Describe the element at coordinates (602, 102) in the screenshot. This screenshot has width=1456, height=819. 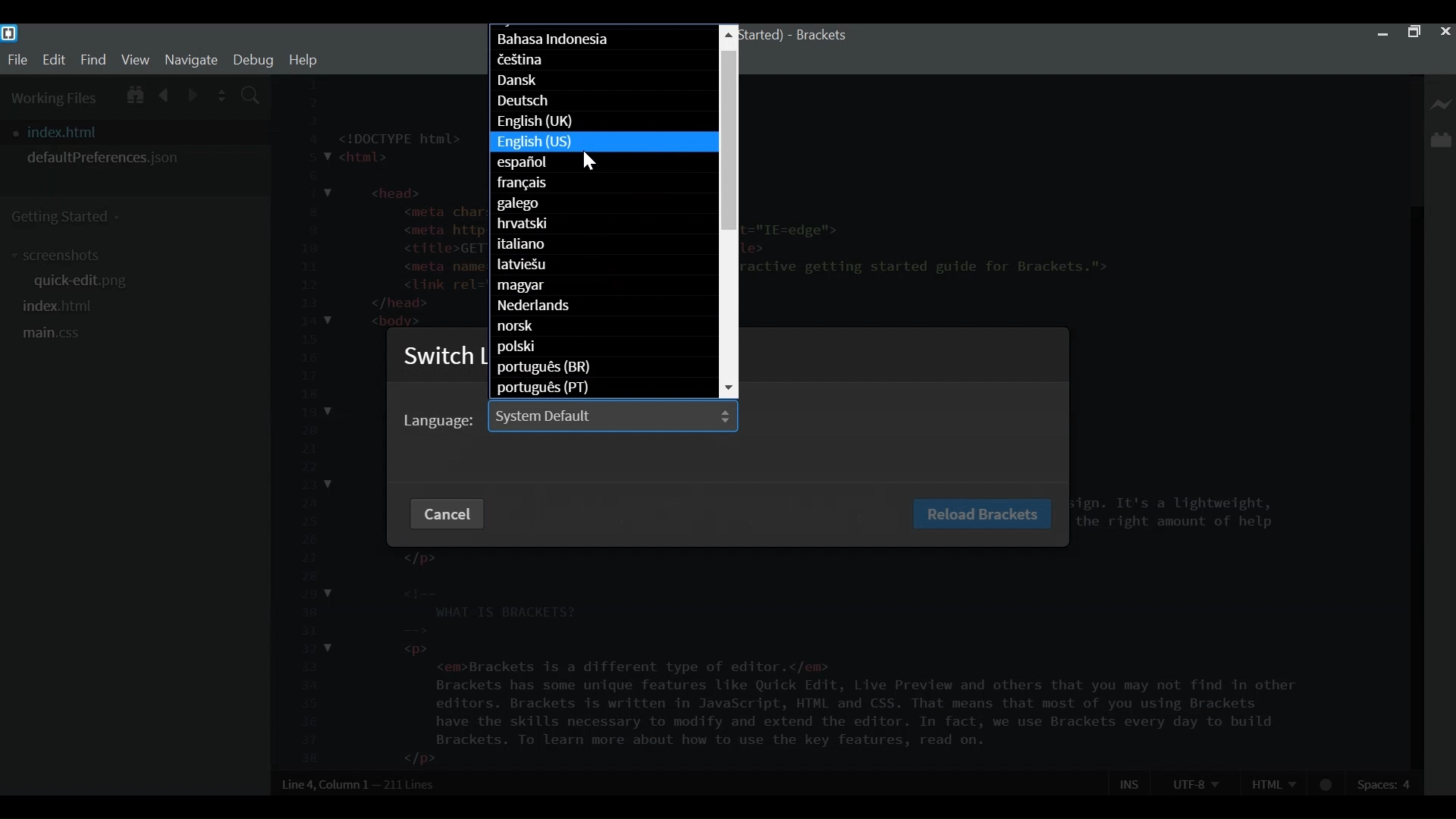
I see `Deutsch` at that location.